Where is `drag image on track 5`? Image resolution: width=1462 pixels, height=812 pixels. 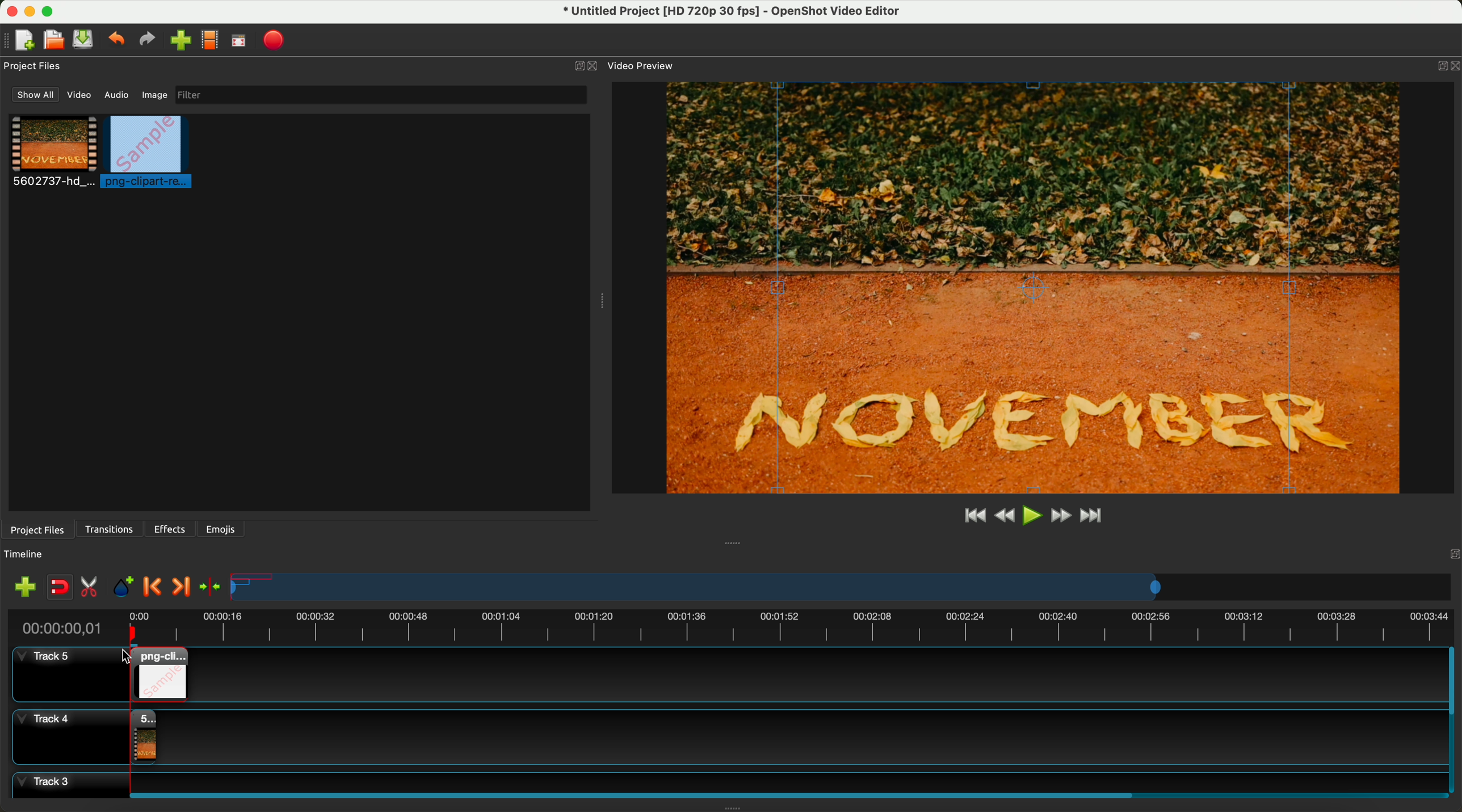
drag image on track 5 is located at coordinates (166, 673).